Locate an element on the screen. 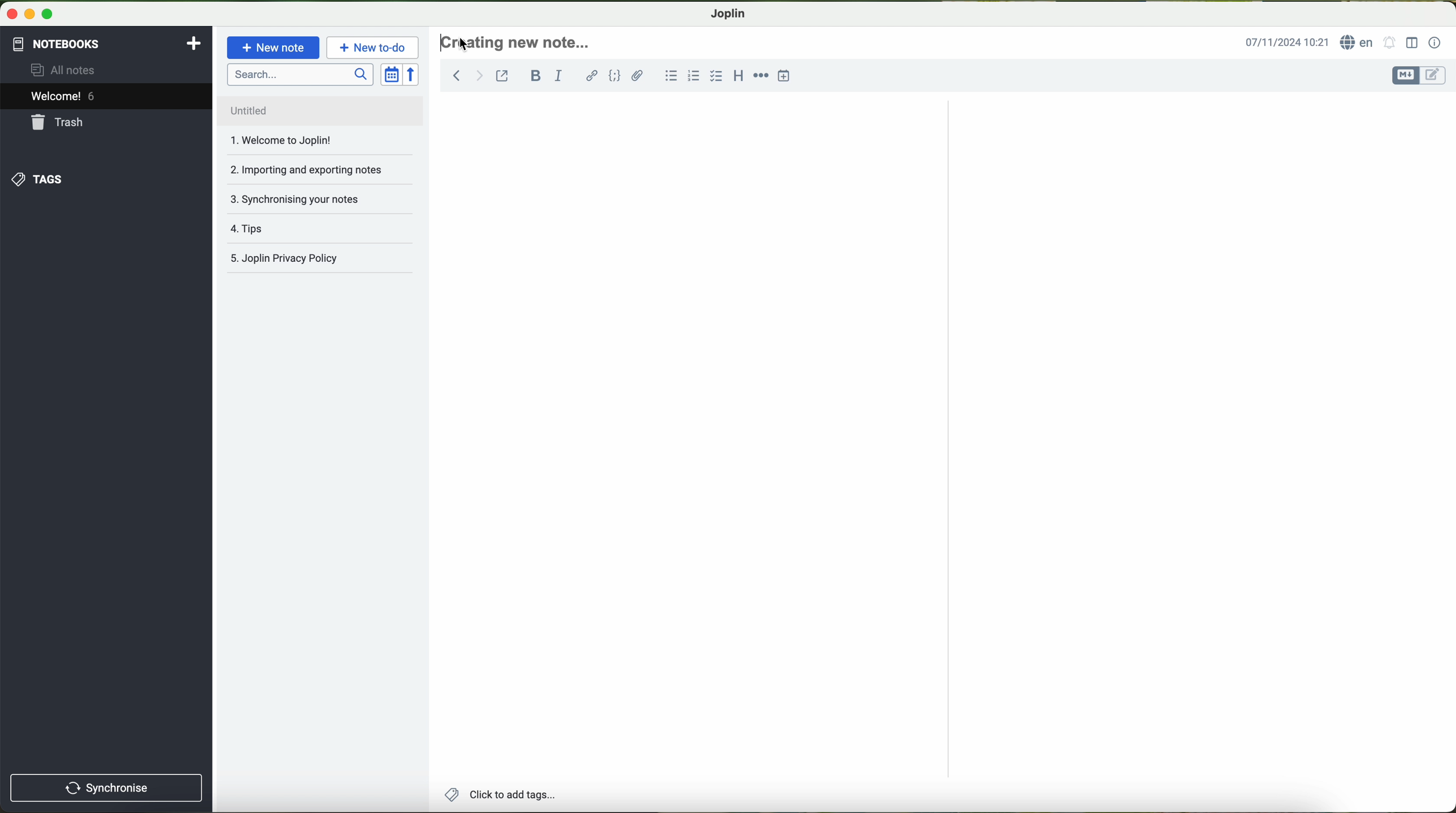  new note button is located at coordinates (274, 47).